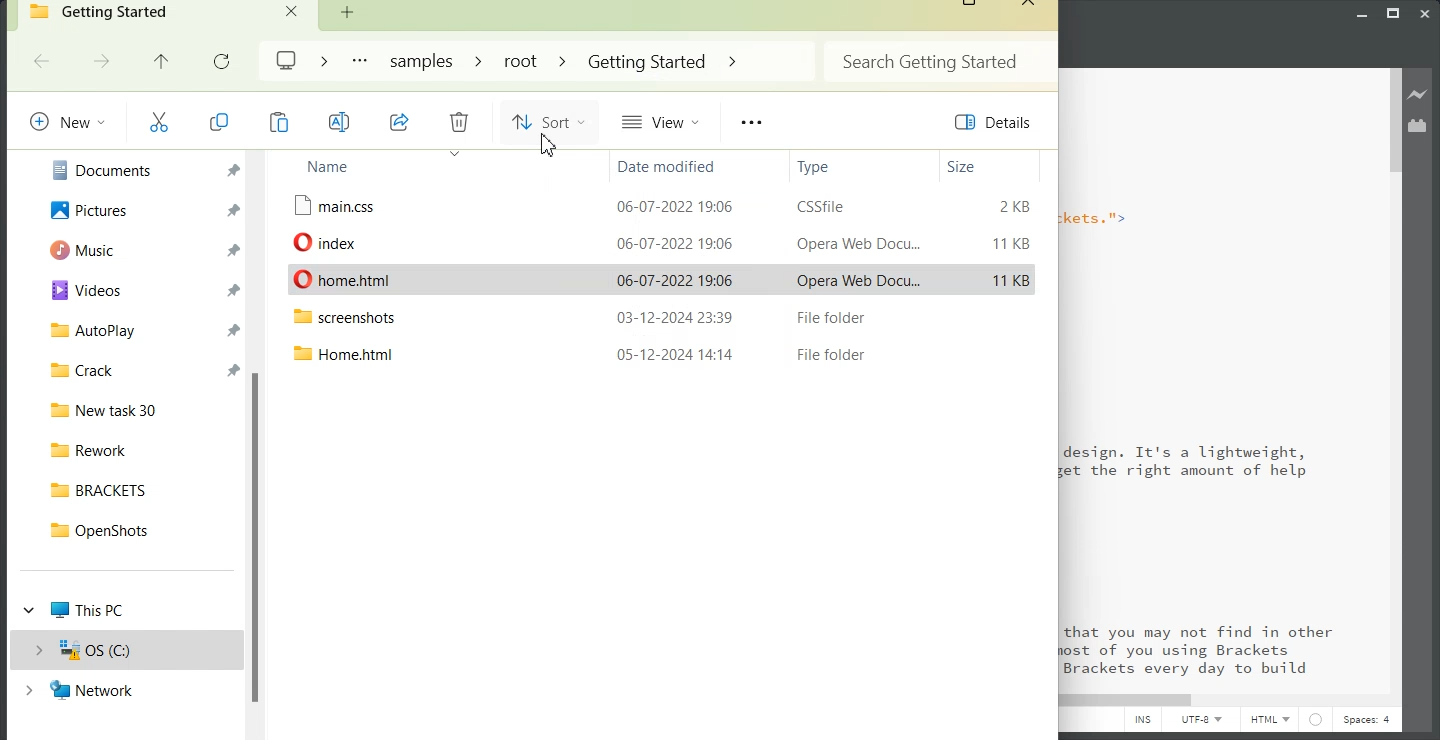 The image size is (1440, 740). Describe the element at coordinates (1270, 721) in the screenshot. I see `HTML` at that location.